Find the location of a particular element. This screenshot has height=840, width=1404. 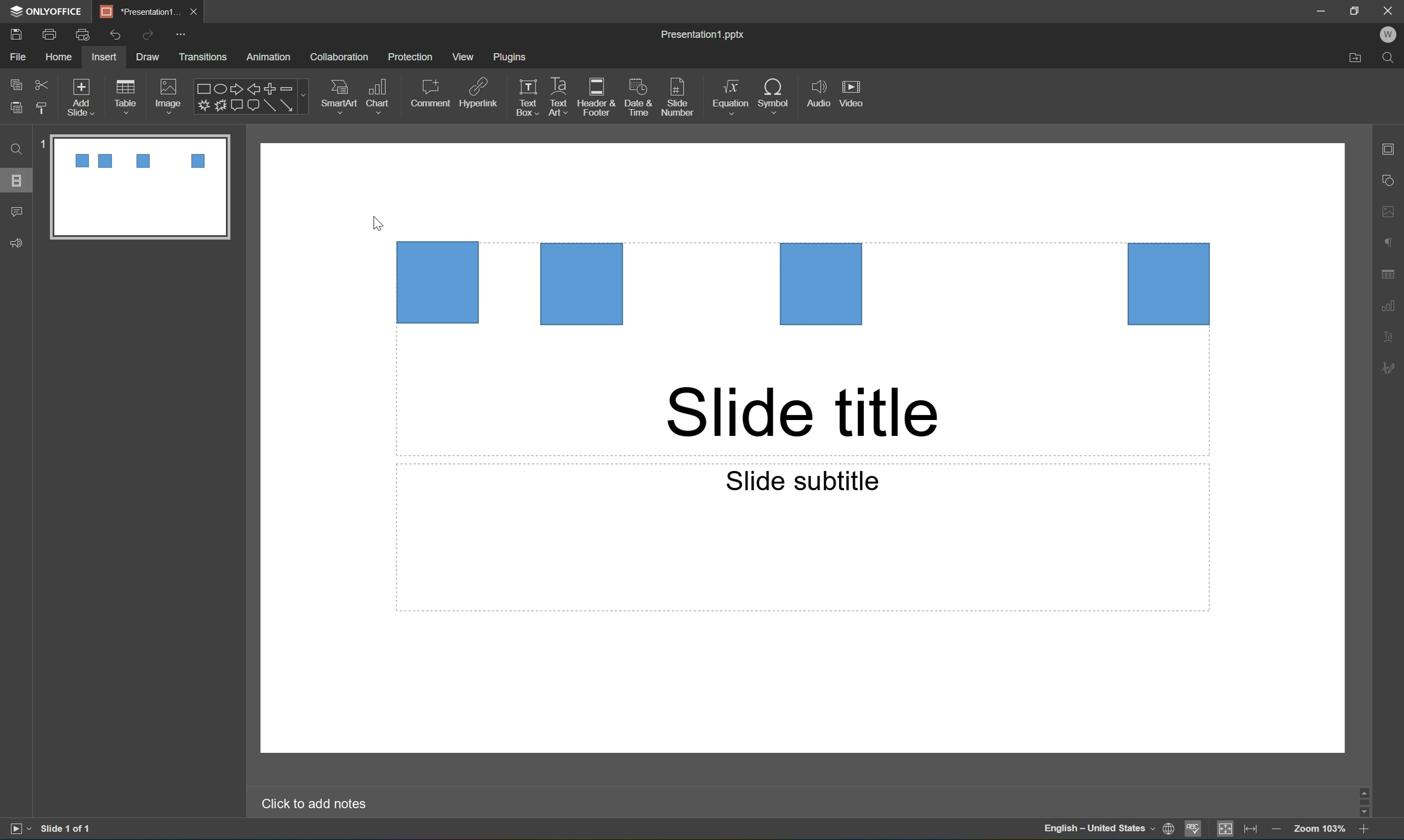

plugins is located at coordinates (512, 58).